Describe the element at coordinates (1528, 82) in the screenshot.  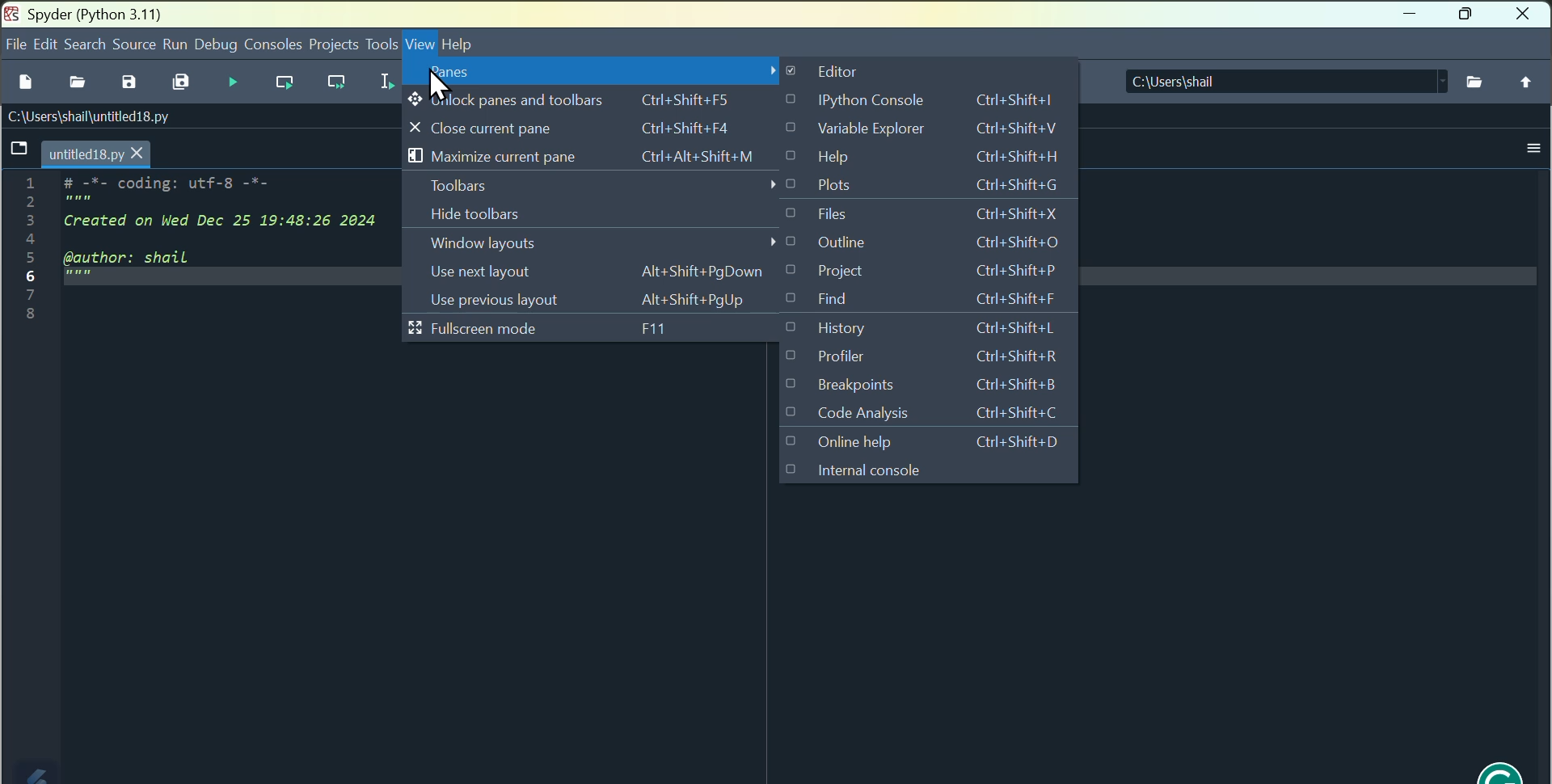
I see `change to parent directory` at that location.